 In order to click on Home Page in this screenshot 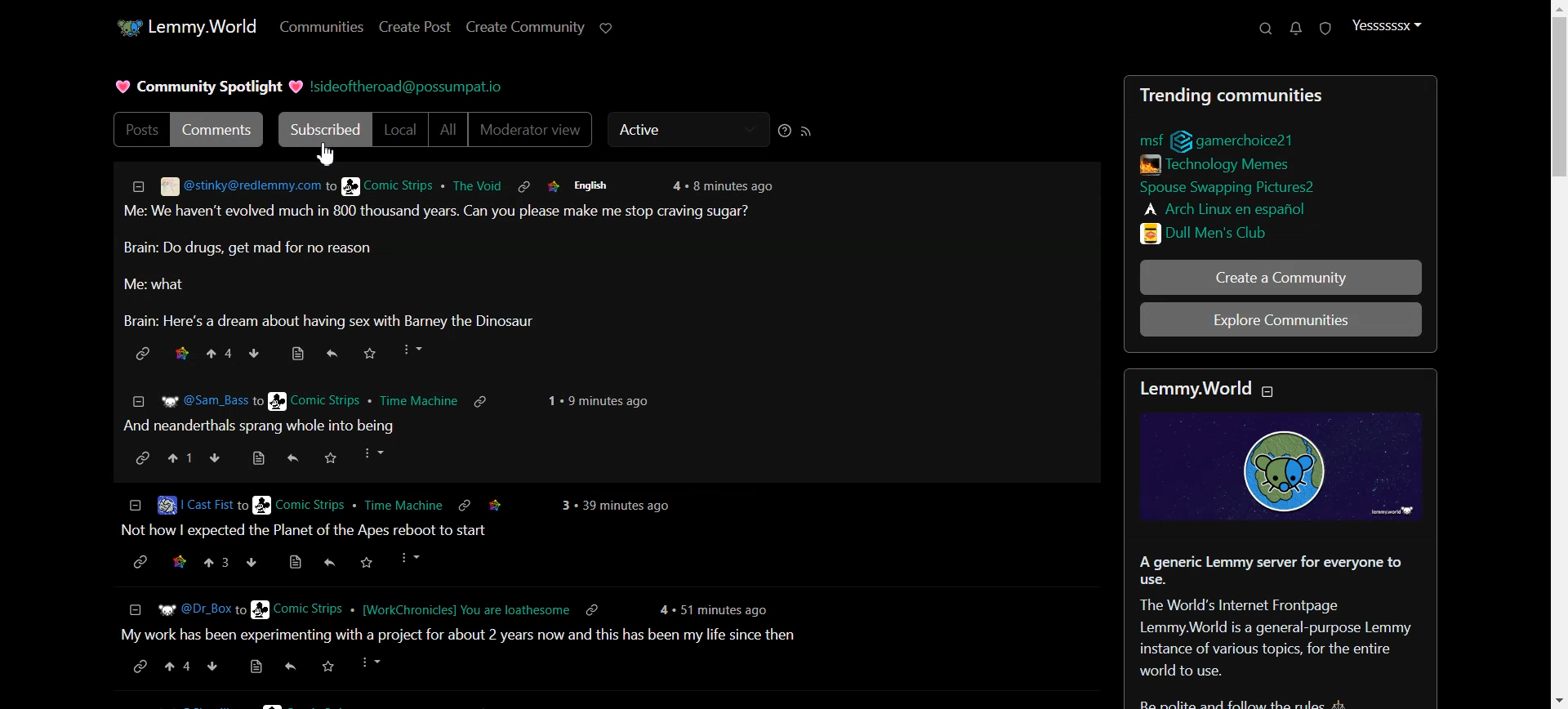, I will do `click(181, 26)`.